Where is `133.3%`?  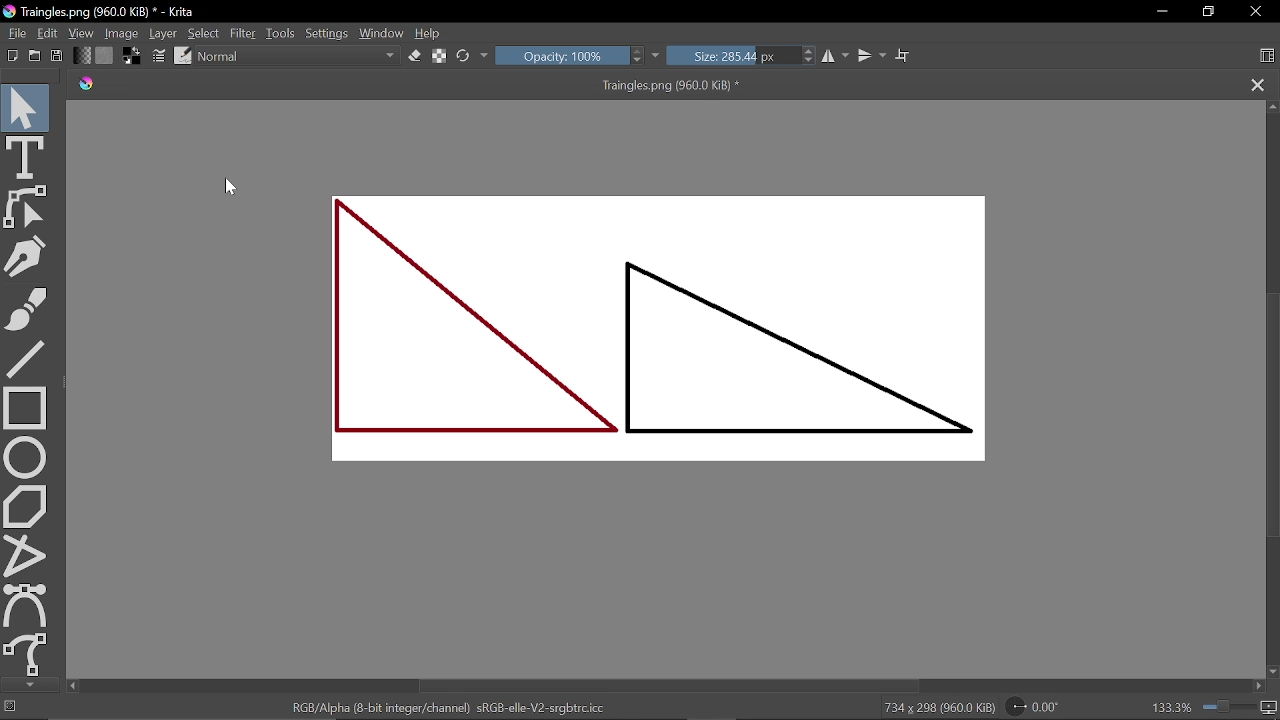
133.3% is located at coordinates (1207, 706).